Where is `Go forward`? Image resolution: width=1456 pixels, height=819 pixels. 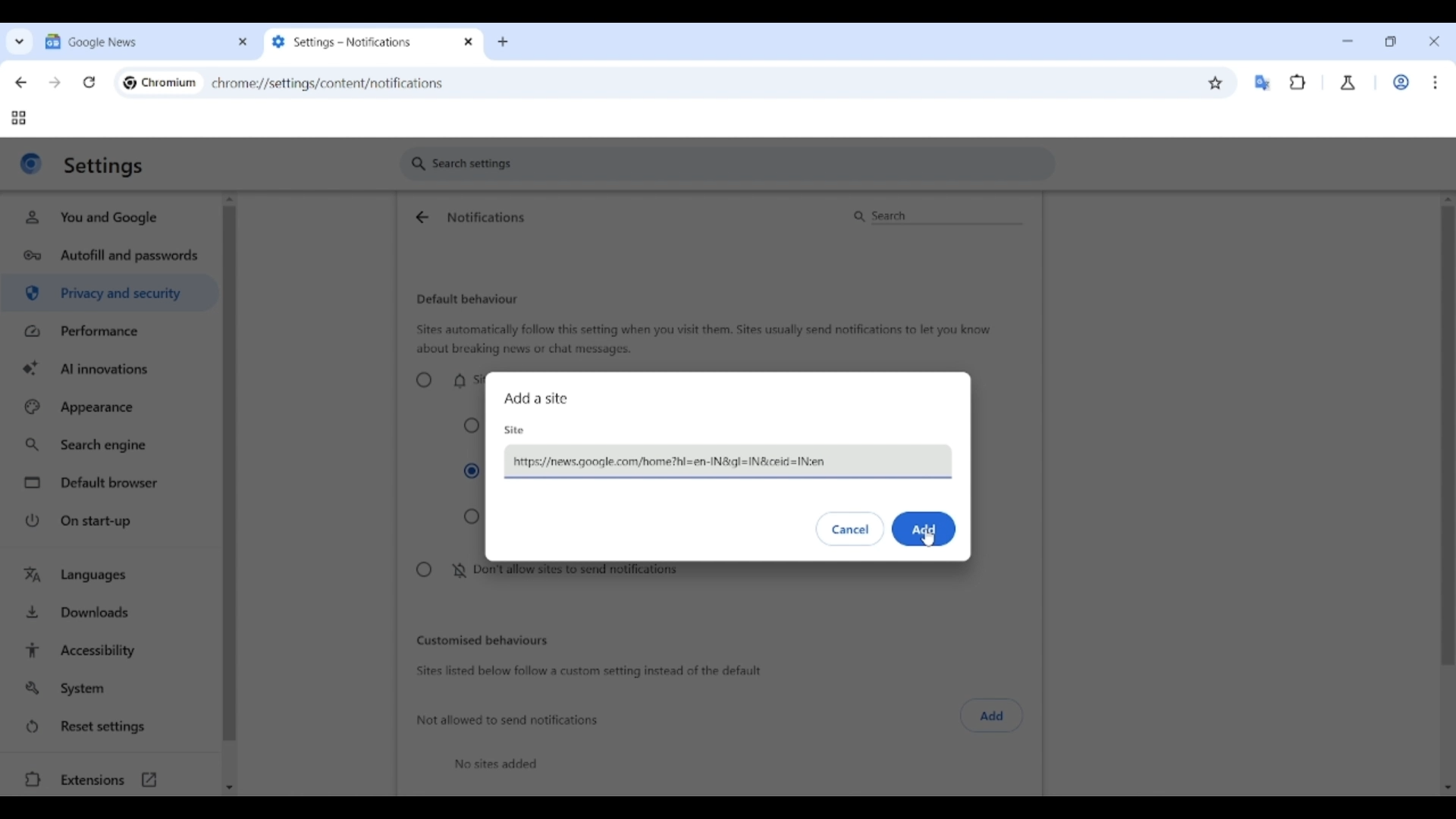
Go forward is located at coordinates (55, 83).